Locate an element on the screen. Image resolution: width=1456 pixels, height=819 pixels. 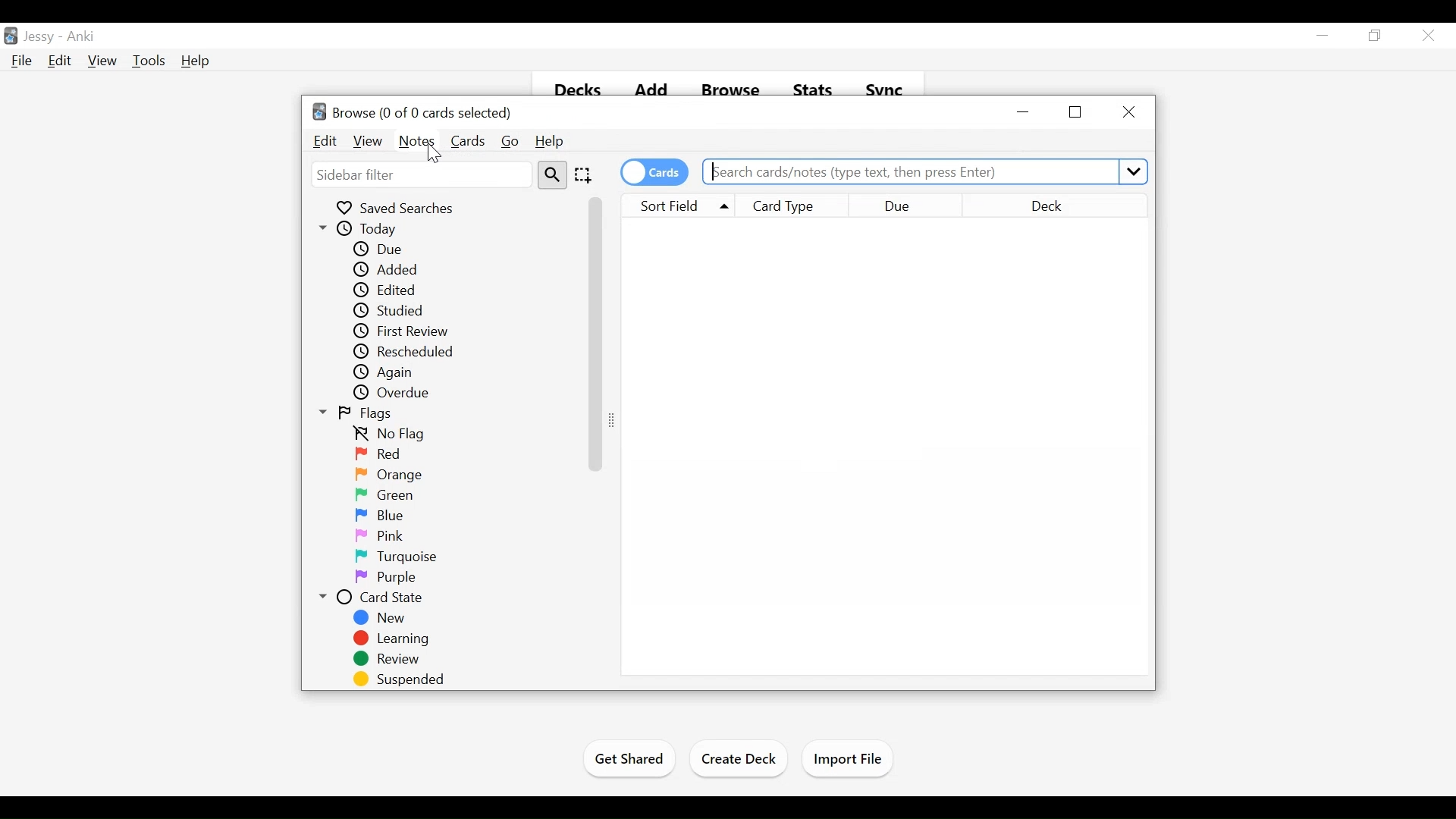
Import Files is located at coordinates (847, 759).